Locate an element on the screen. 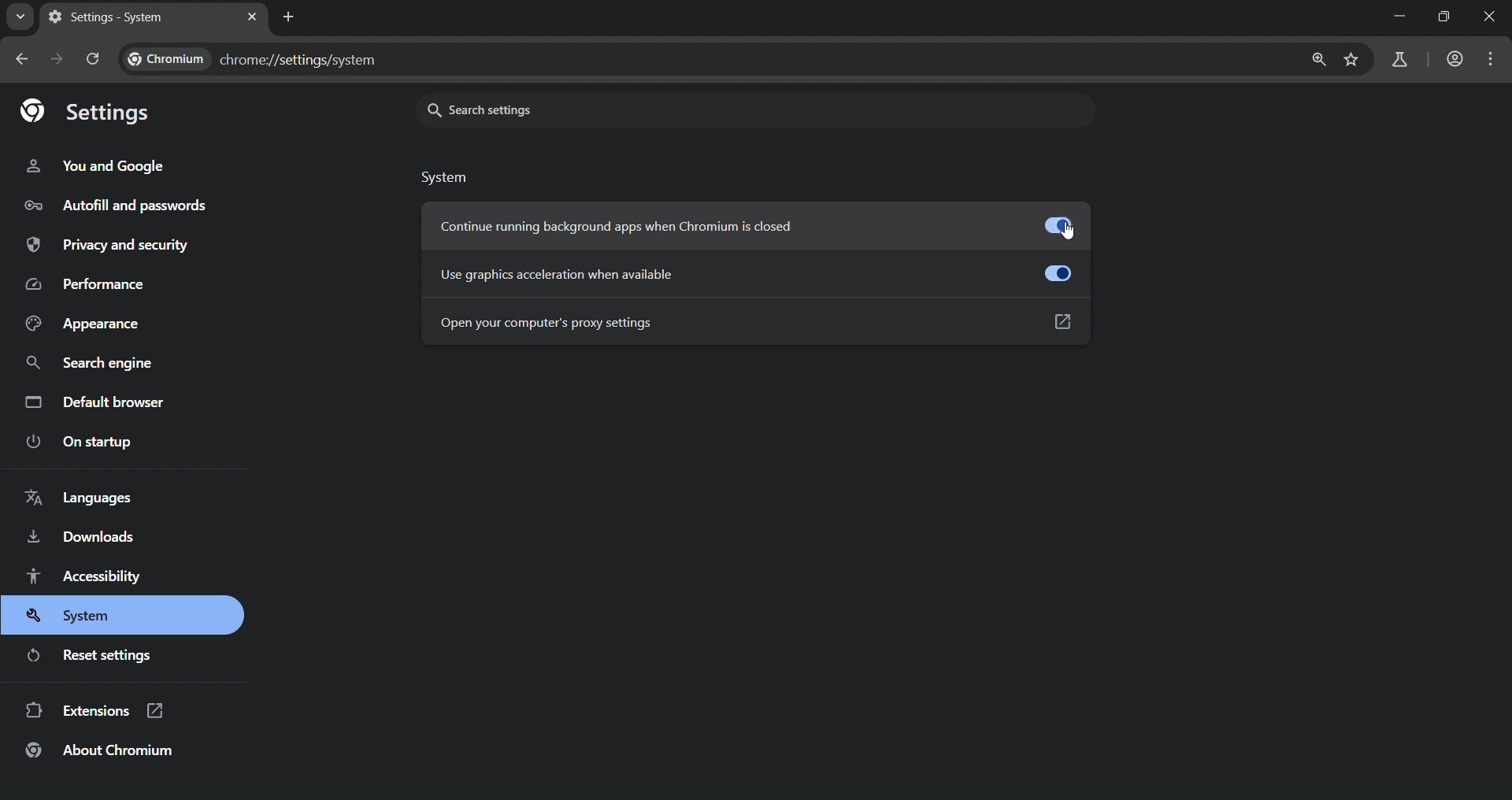  downloads is located at coordinates (89, 537).